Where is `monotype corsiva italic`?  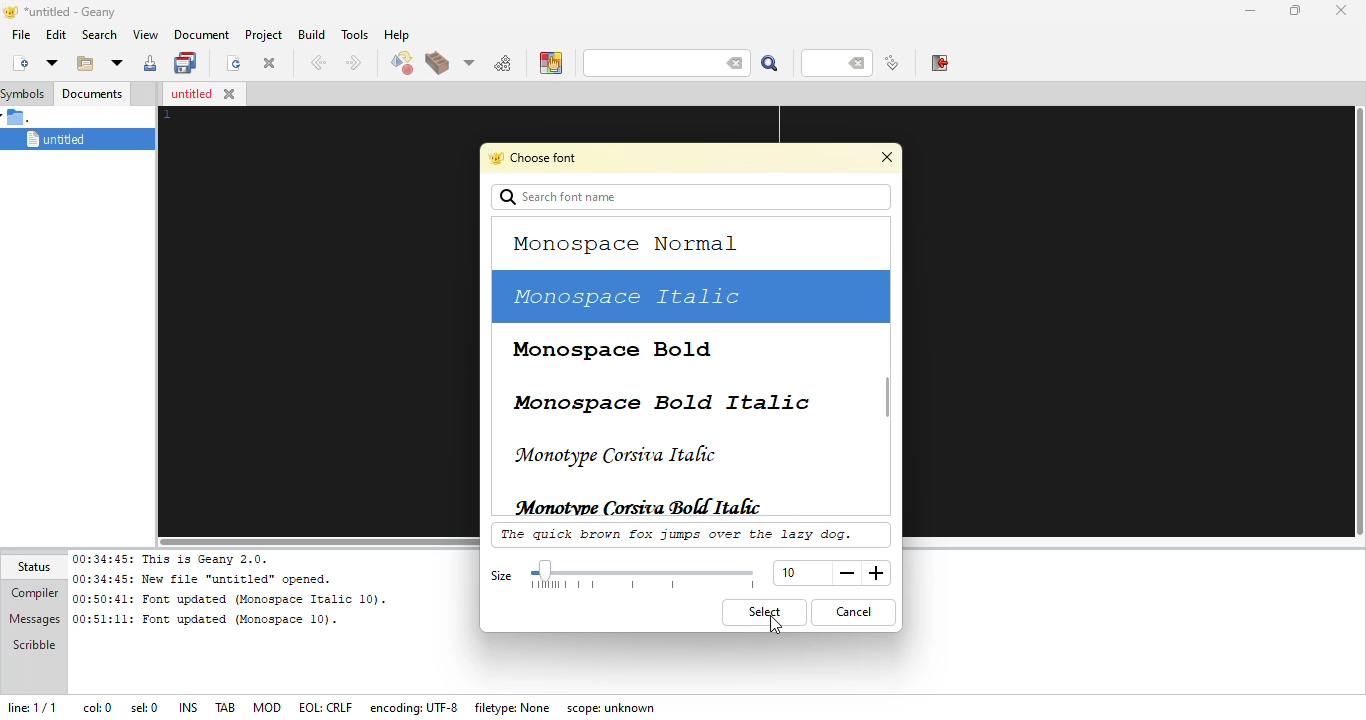
monotype corsiva italic is located at coordinates (612, 452).